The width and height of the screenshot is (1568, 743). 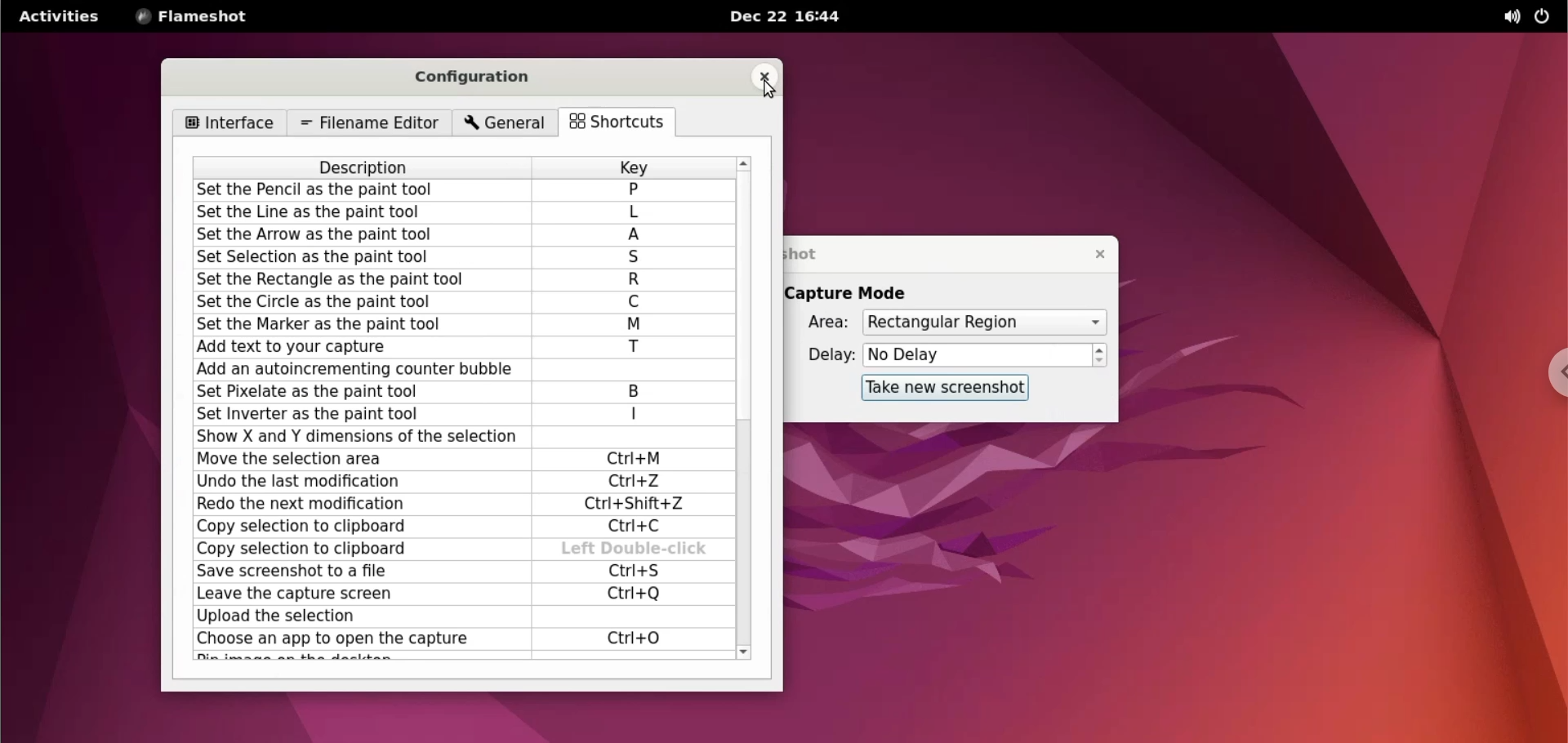 What do you see at coordinates (357, 280) in the screenshot?
I see `set the rectangle as the paint tool` at bounding box center [357, 280].